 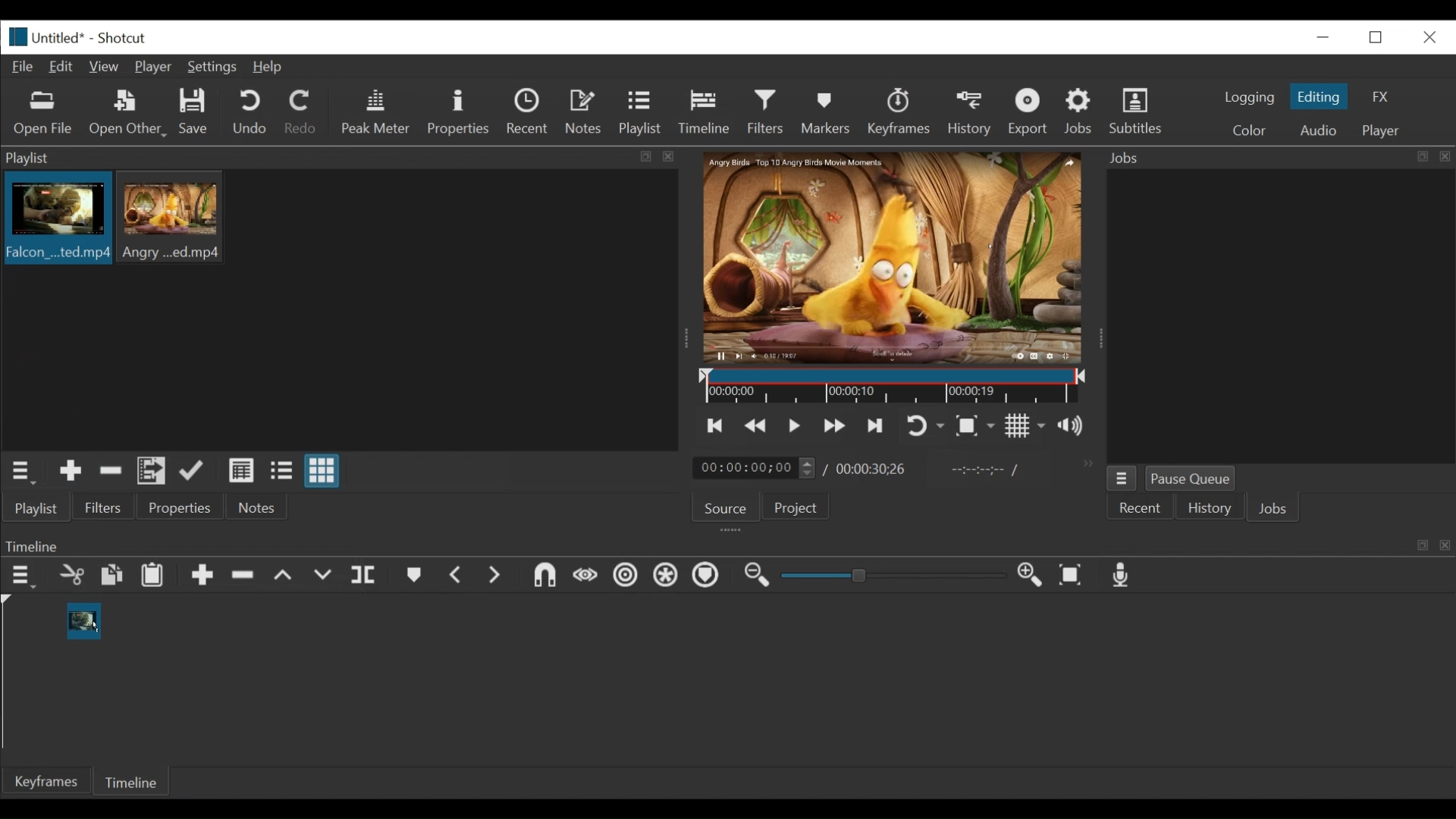 I want to click on playlist menu, so click(x=24, y=470).